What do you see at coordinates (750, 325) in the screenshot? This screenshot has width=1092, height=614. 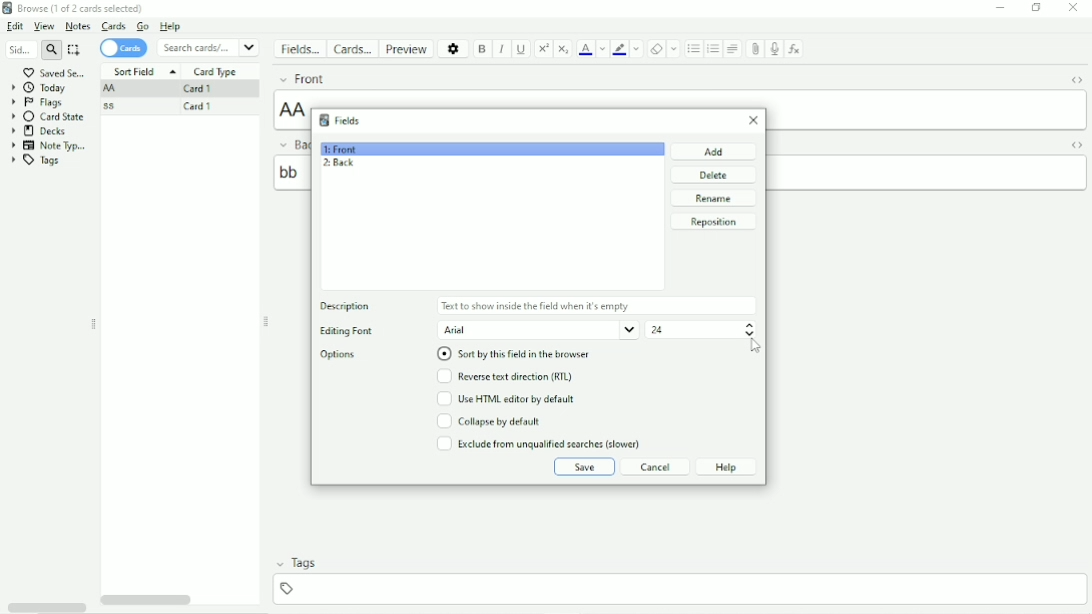 I see `Increase size` at bounding box center [750, 325].